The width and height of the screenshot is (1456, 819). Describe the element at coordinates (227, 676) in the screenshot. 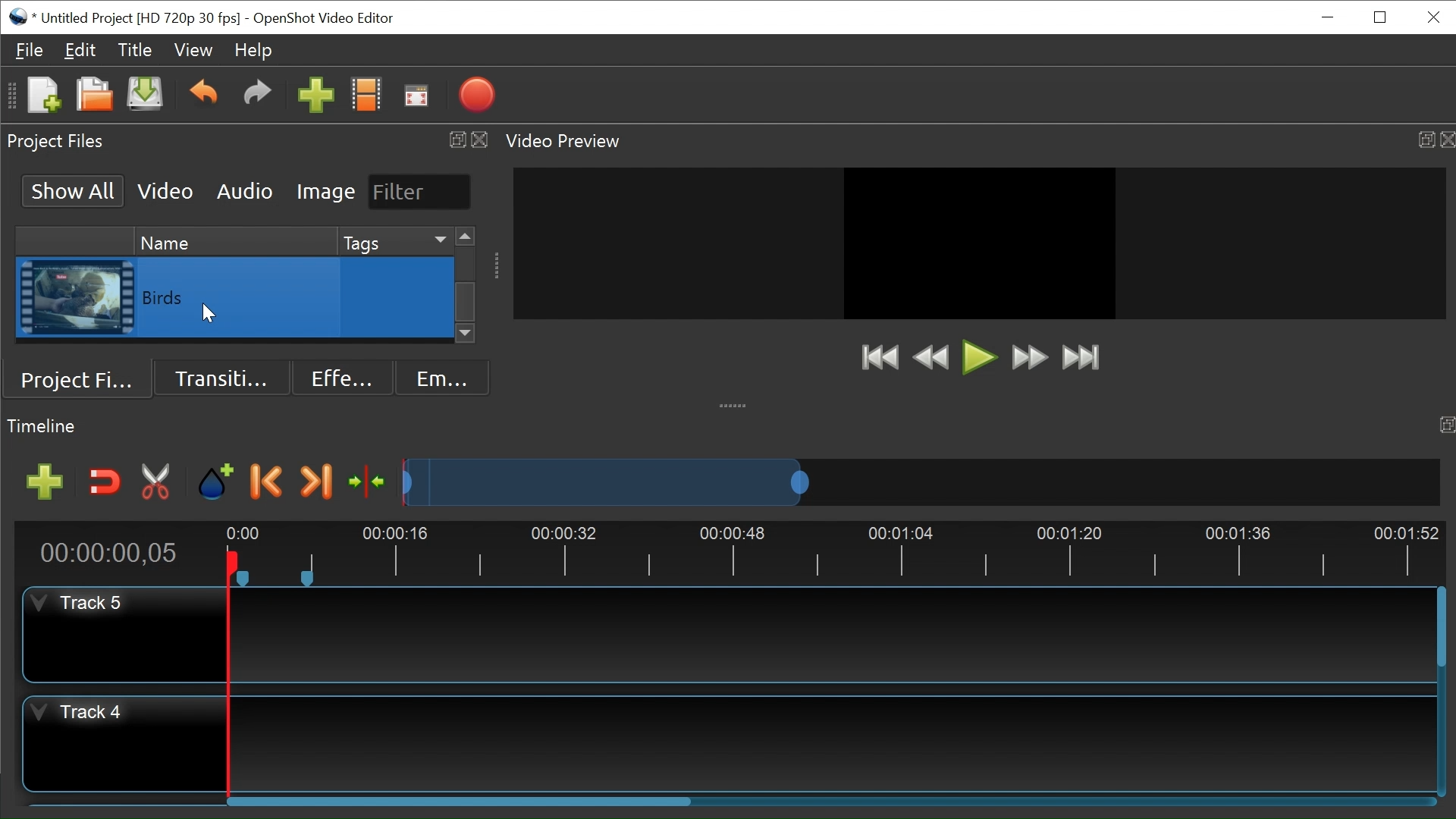

I see `Timeline cursor` at that location.